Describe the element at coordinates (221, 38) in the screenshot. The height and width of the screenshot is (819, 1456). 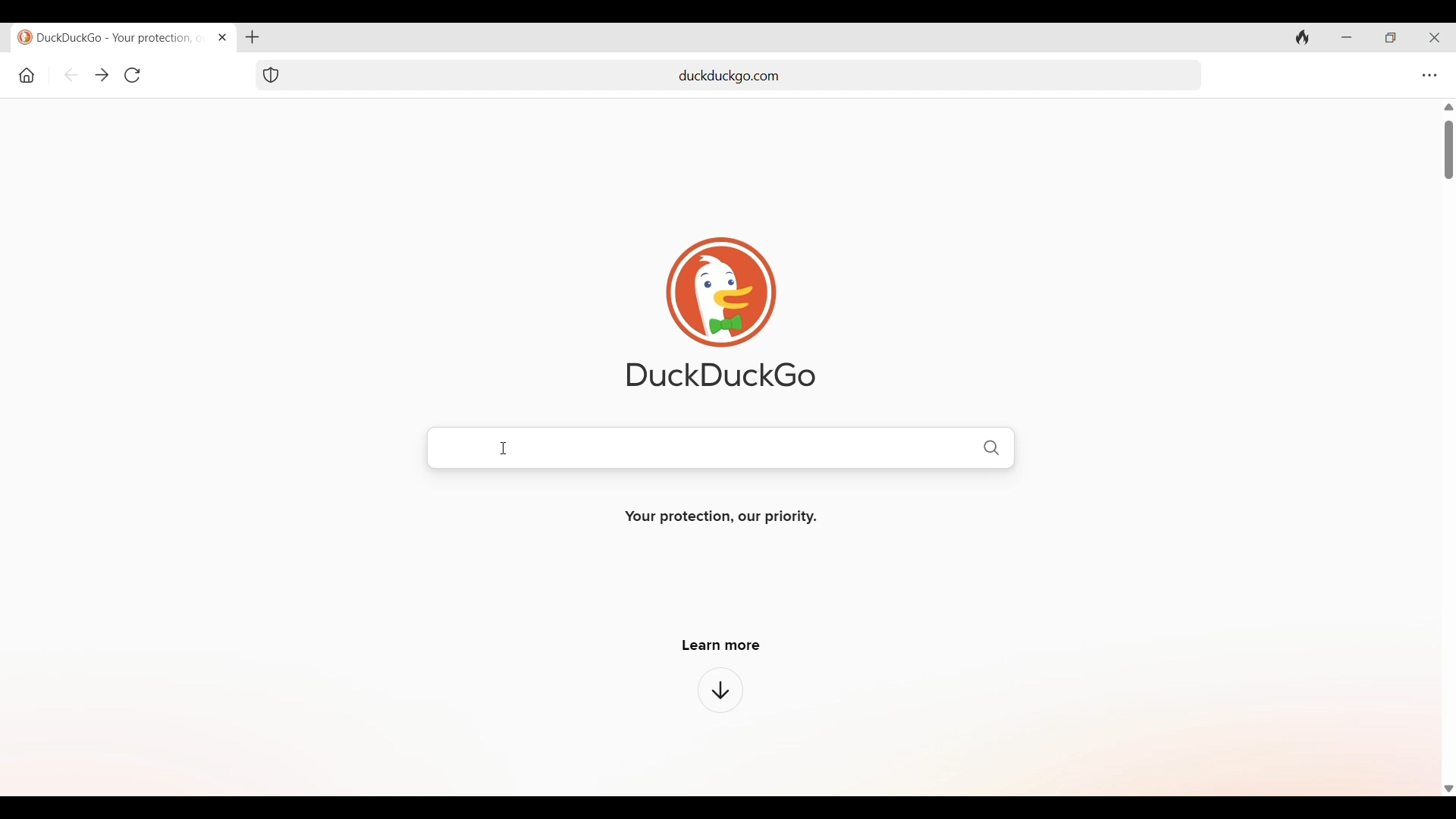
I see `Close tab` at that location.